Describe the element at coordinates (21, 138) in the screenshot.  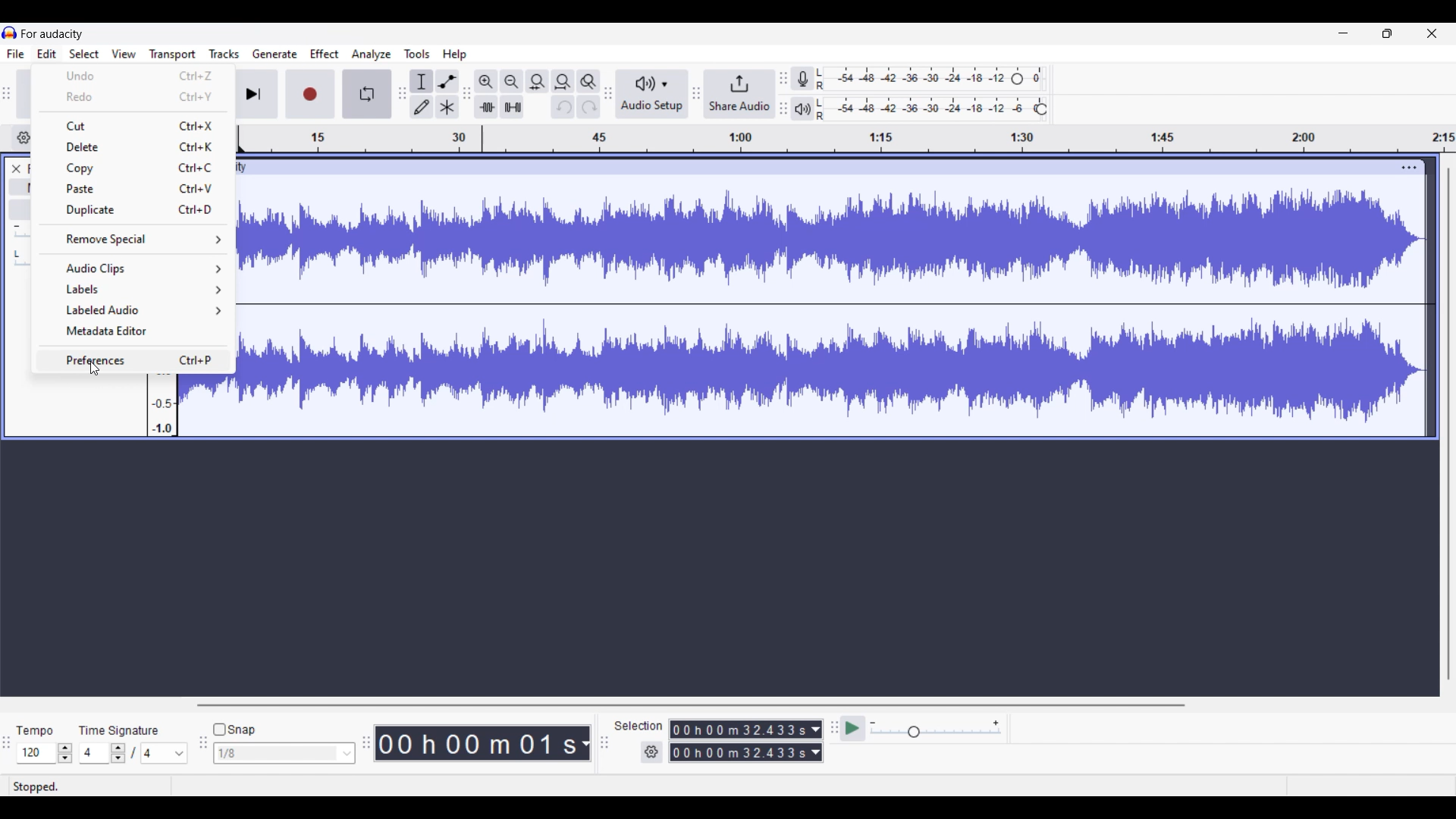
I see `Timeline options` at that location.